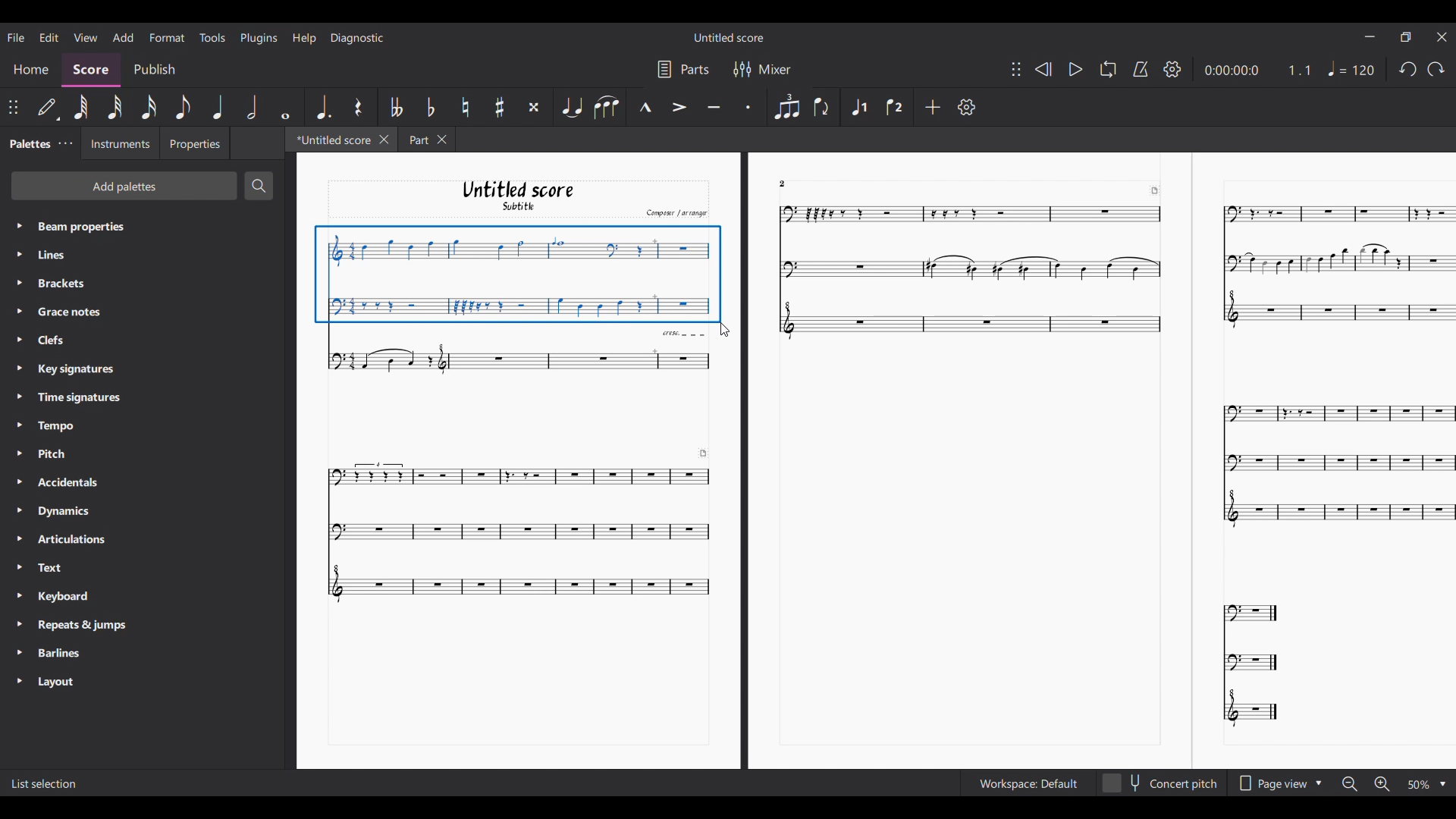 This screenshot has height=819, width=1456. I want to click on , so click(17, 253).